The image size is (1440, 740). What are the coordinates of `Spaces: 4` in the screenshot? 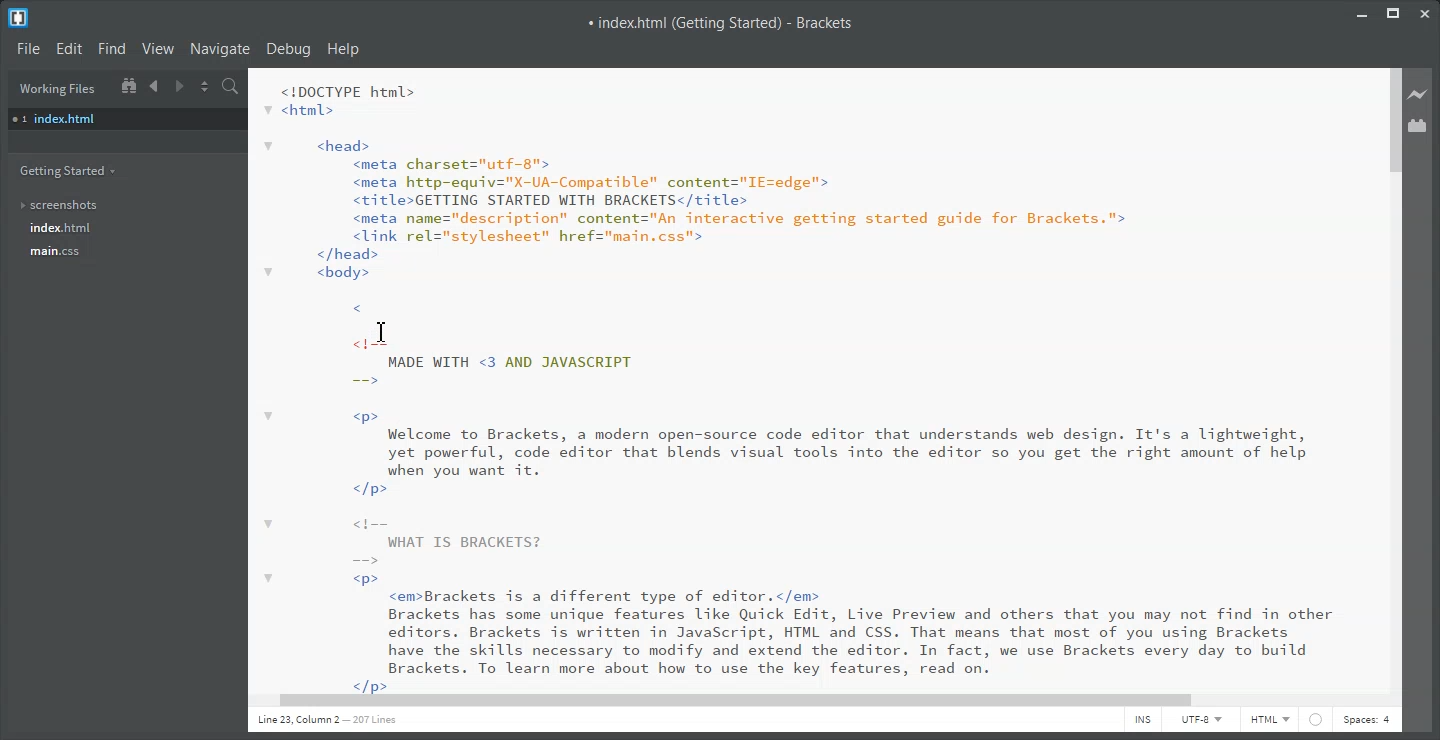 It's located at (1367, 721).